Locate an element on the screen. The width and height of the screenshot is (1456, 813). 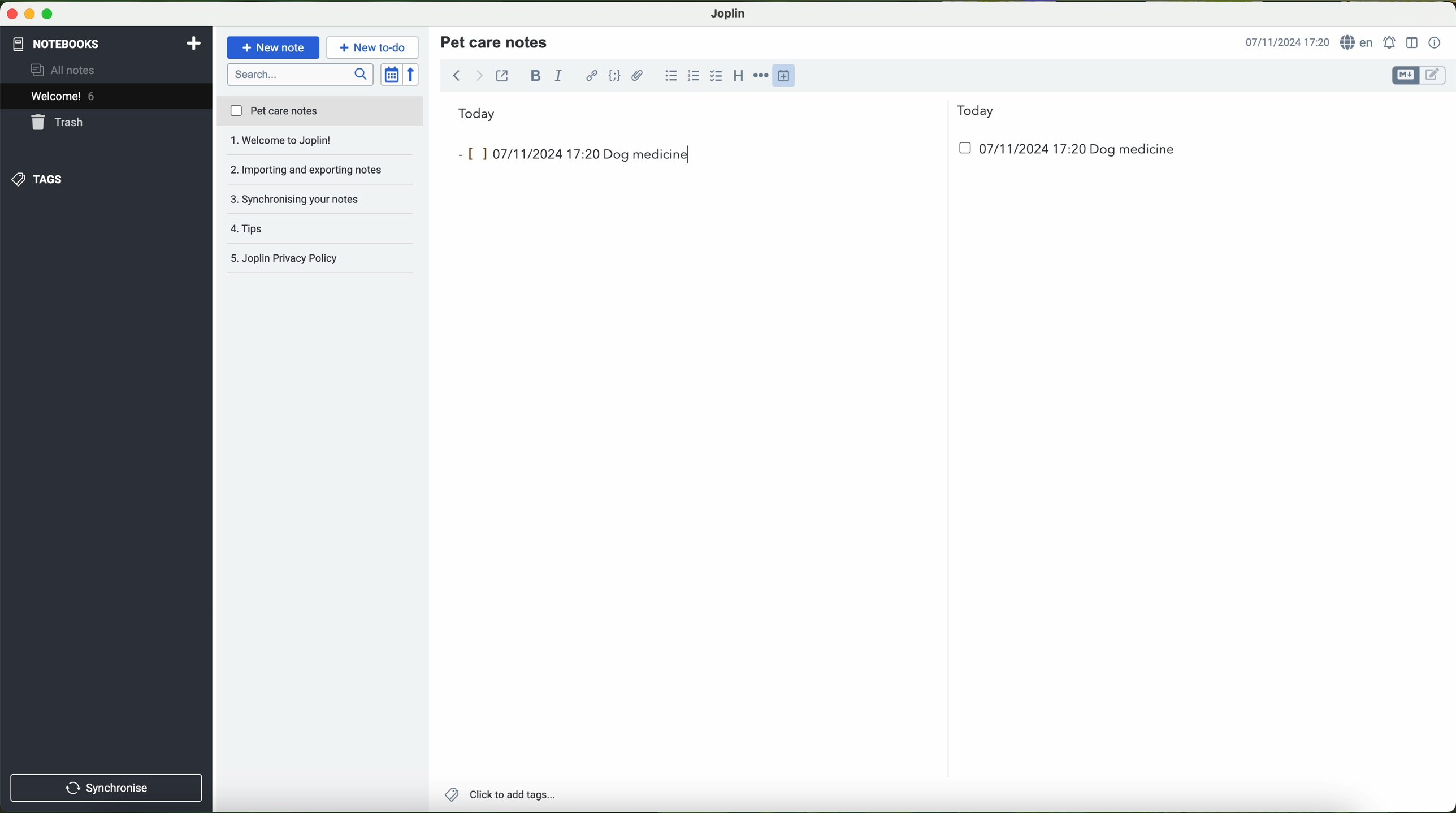
hyperlink is located at coordinates (593, 77).